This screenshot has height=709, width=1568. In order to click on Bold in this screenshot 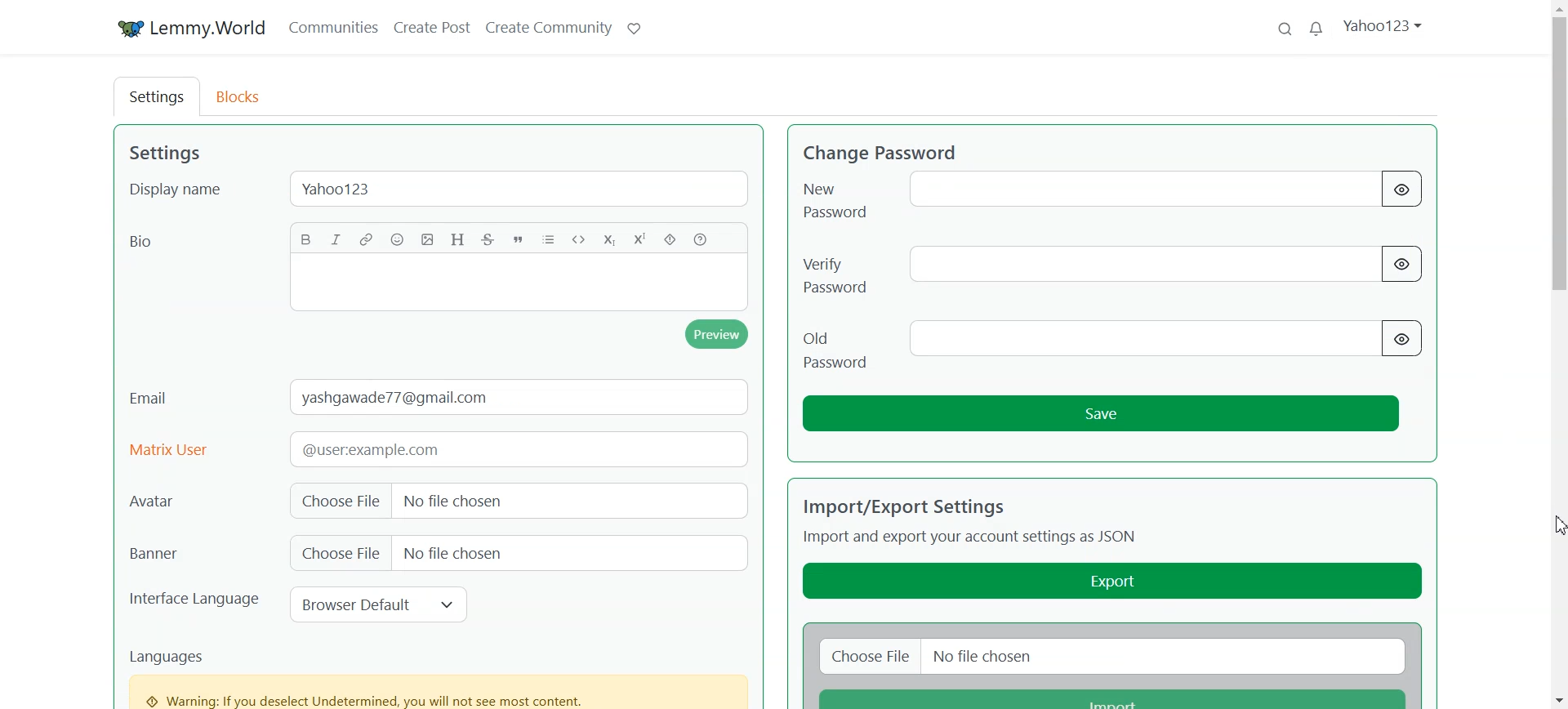, I will do `click(307, 239)`.